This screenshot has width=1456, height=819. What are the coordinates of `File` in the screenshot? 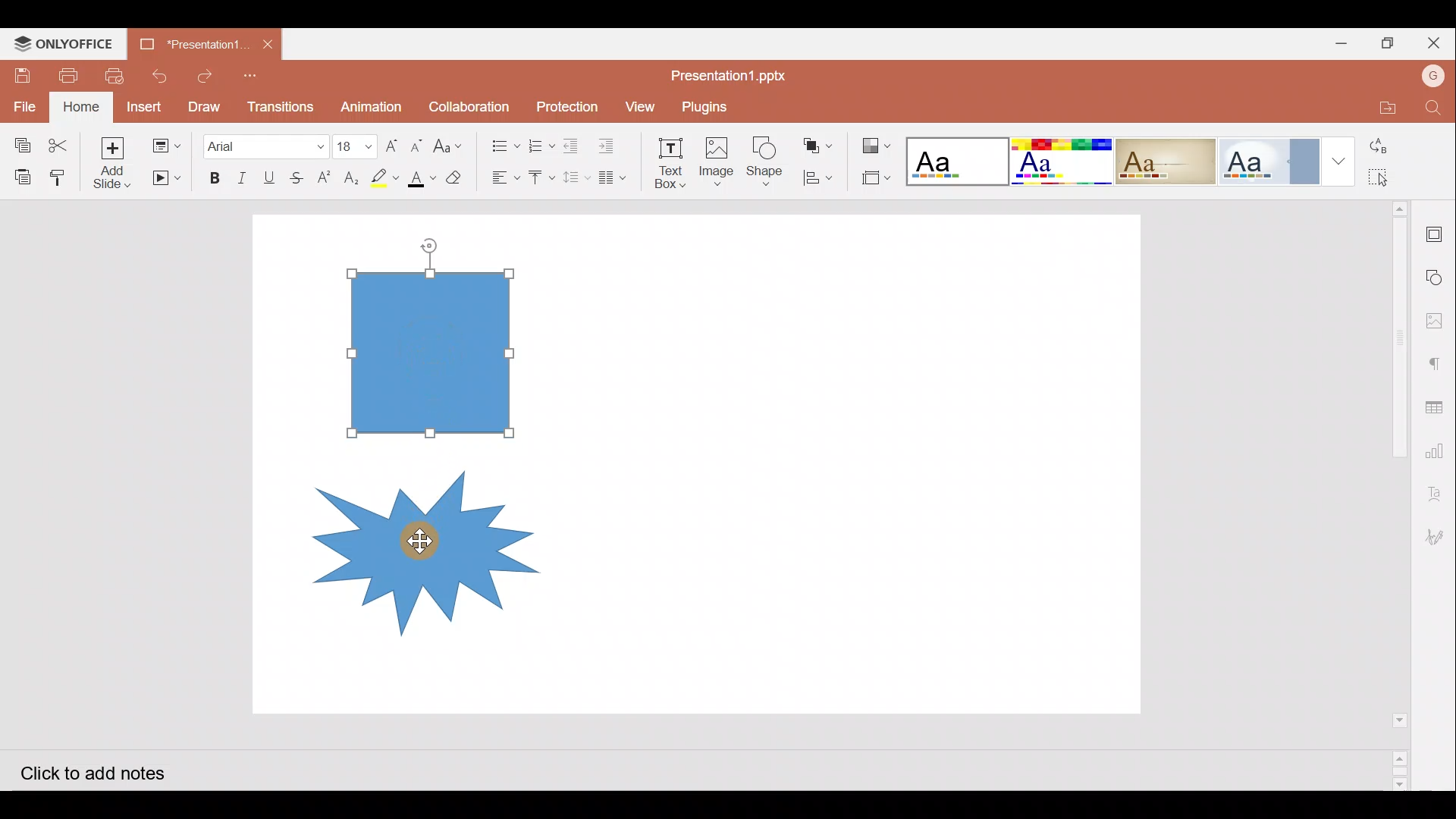 It's located at (21, 103).